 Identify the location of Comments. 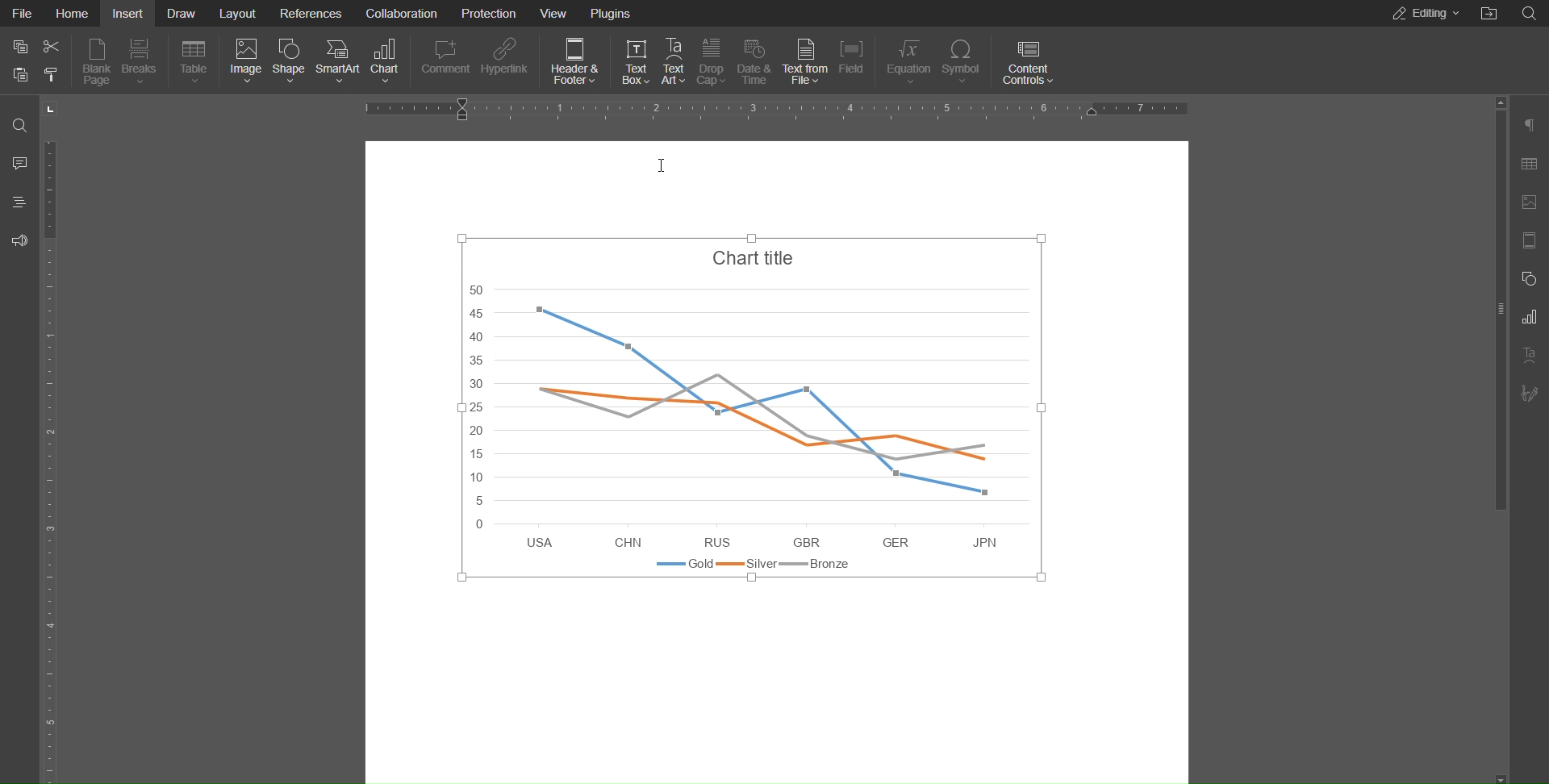
(18, 166).